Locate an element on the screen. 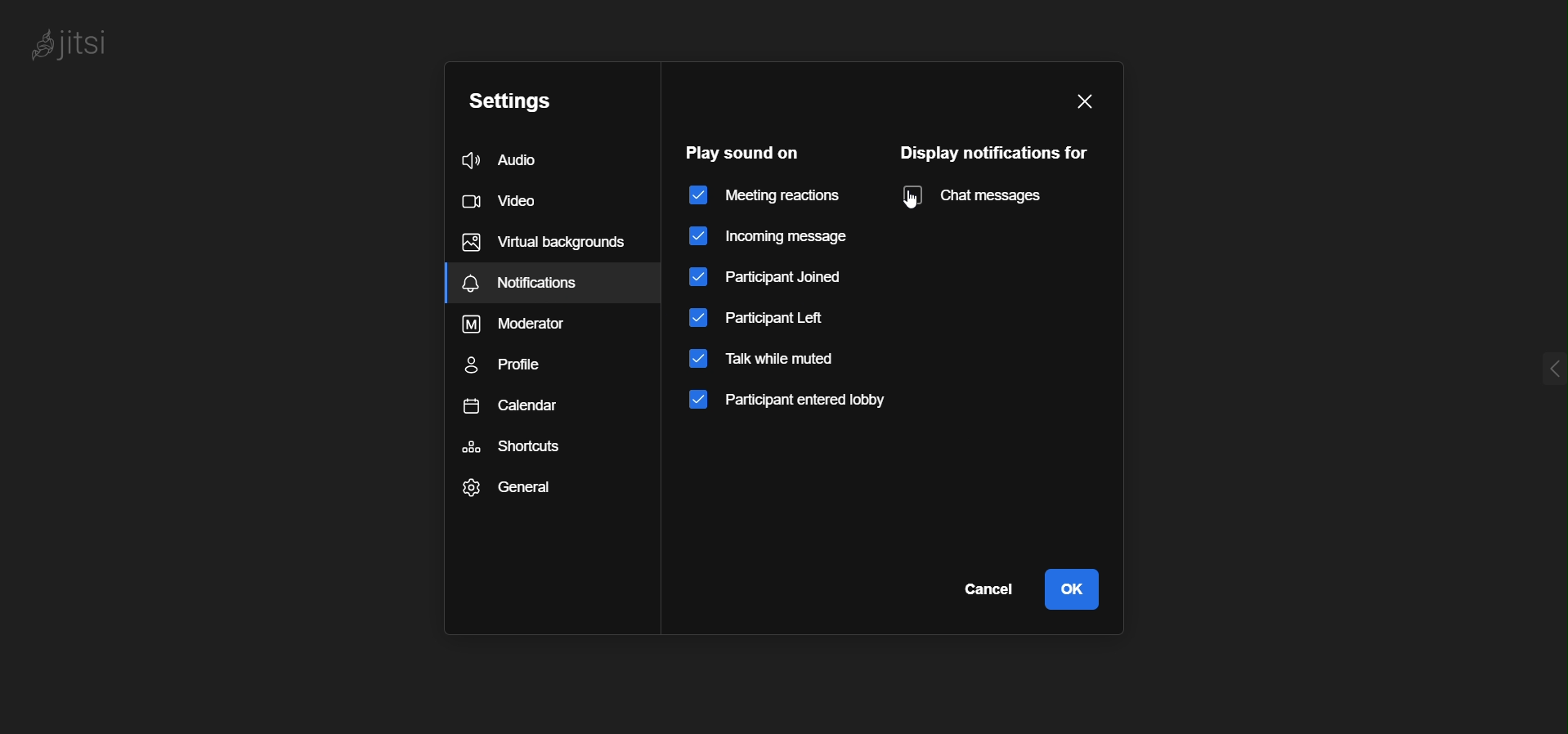 The height and width of the screenshot is (734, 1568). notifications is located at coordinates (554, 284).